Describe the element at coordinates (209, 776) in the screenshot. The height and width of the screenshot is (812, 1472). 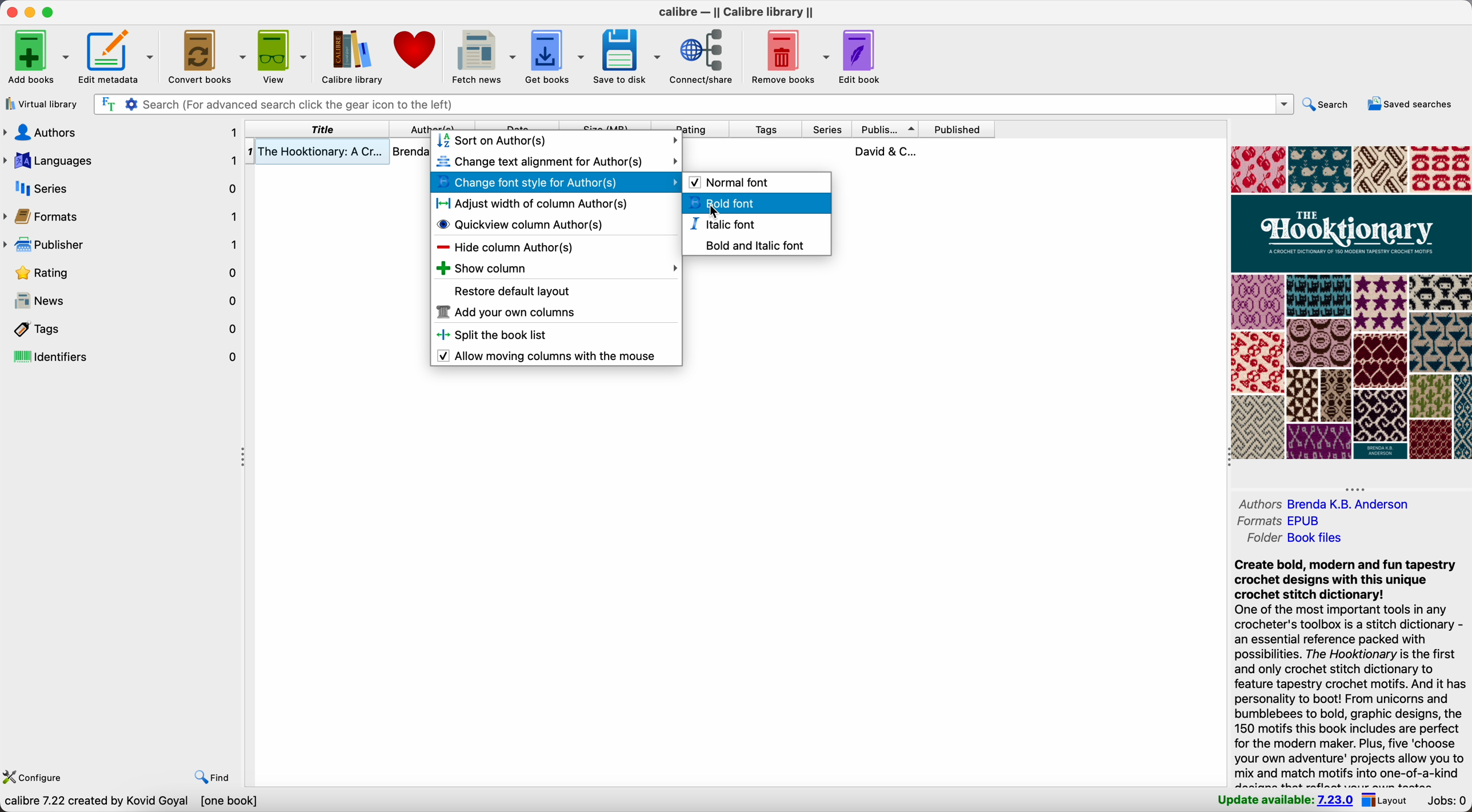
I see `find` at that location.